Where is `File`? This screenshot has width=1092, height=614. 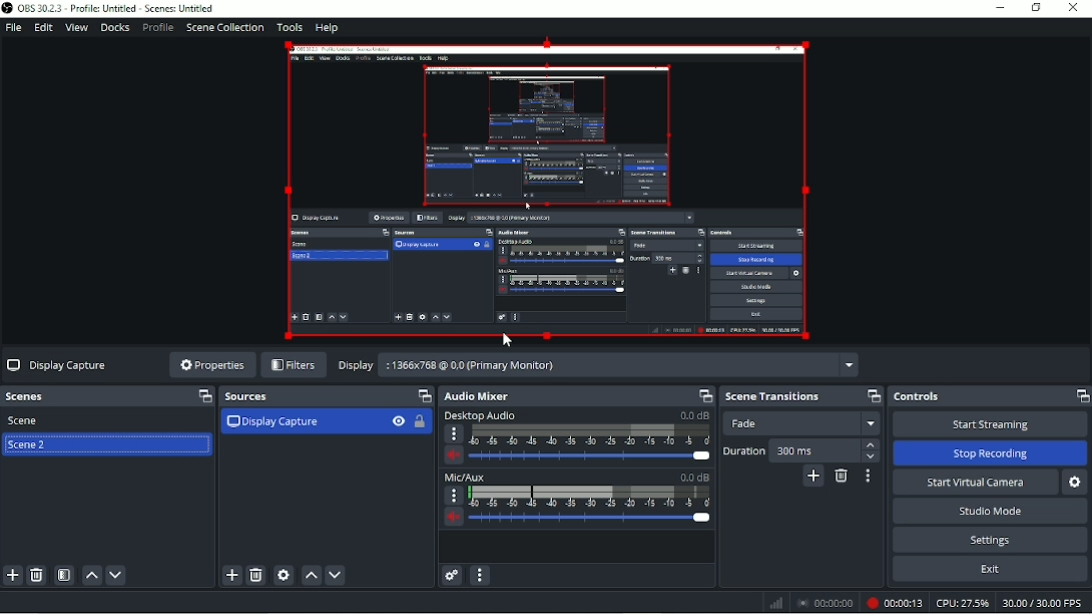 File is located at coordinates (14, 28).